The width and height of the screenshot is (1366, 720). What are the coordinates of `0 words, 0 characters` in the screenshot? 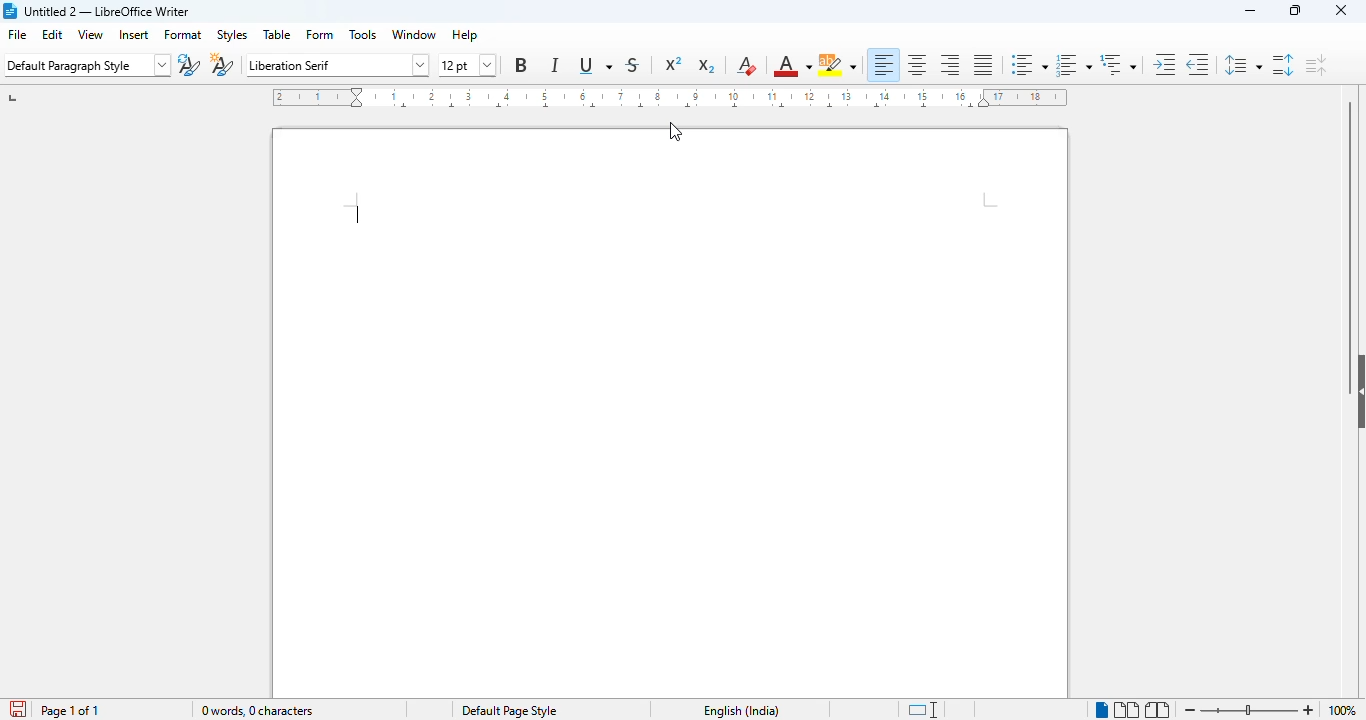 It's located at (256, 711).